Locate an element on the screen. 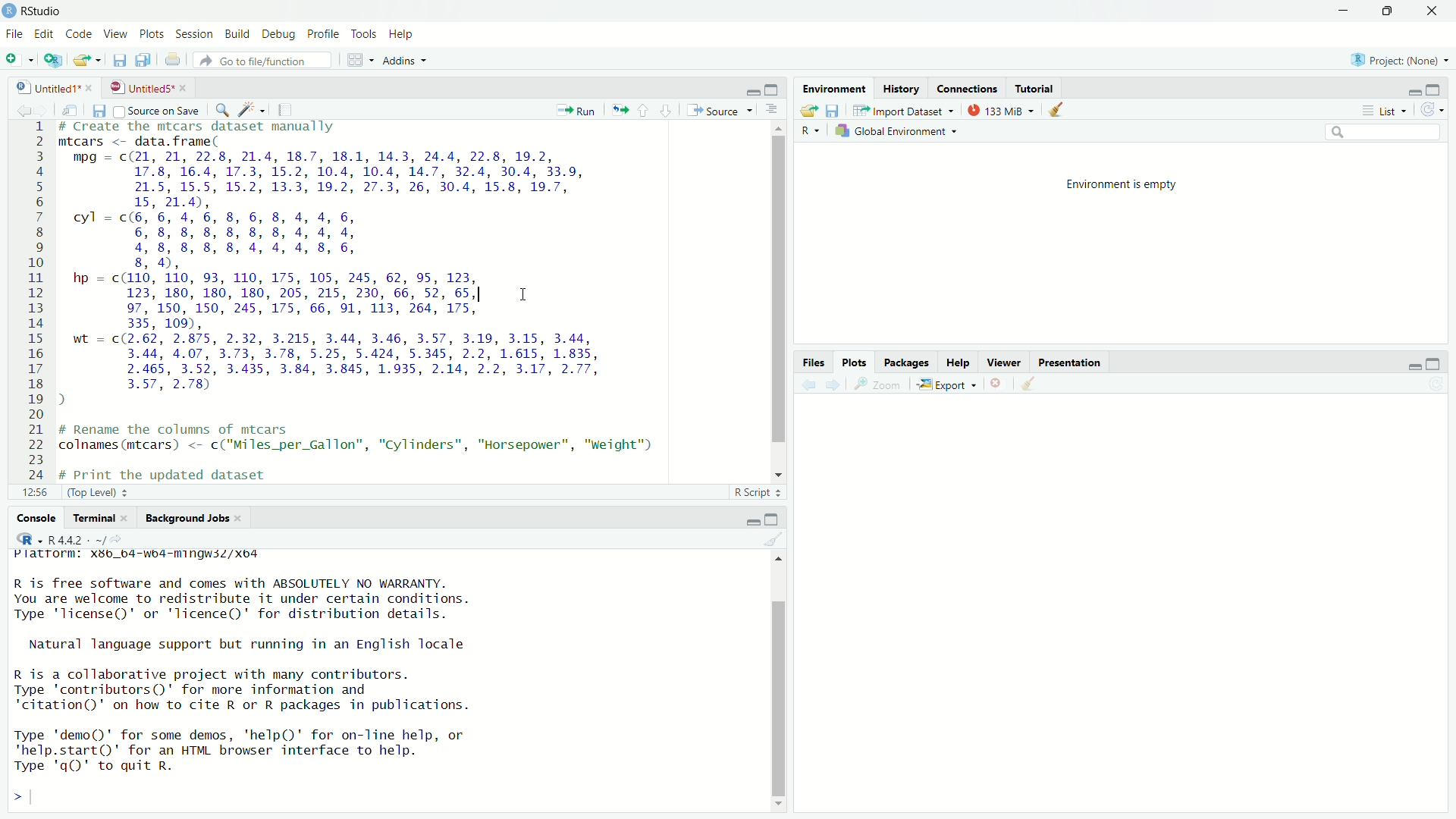 The image size is (1456, 819). close is located at coordinates (1430, 10).